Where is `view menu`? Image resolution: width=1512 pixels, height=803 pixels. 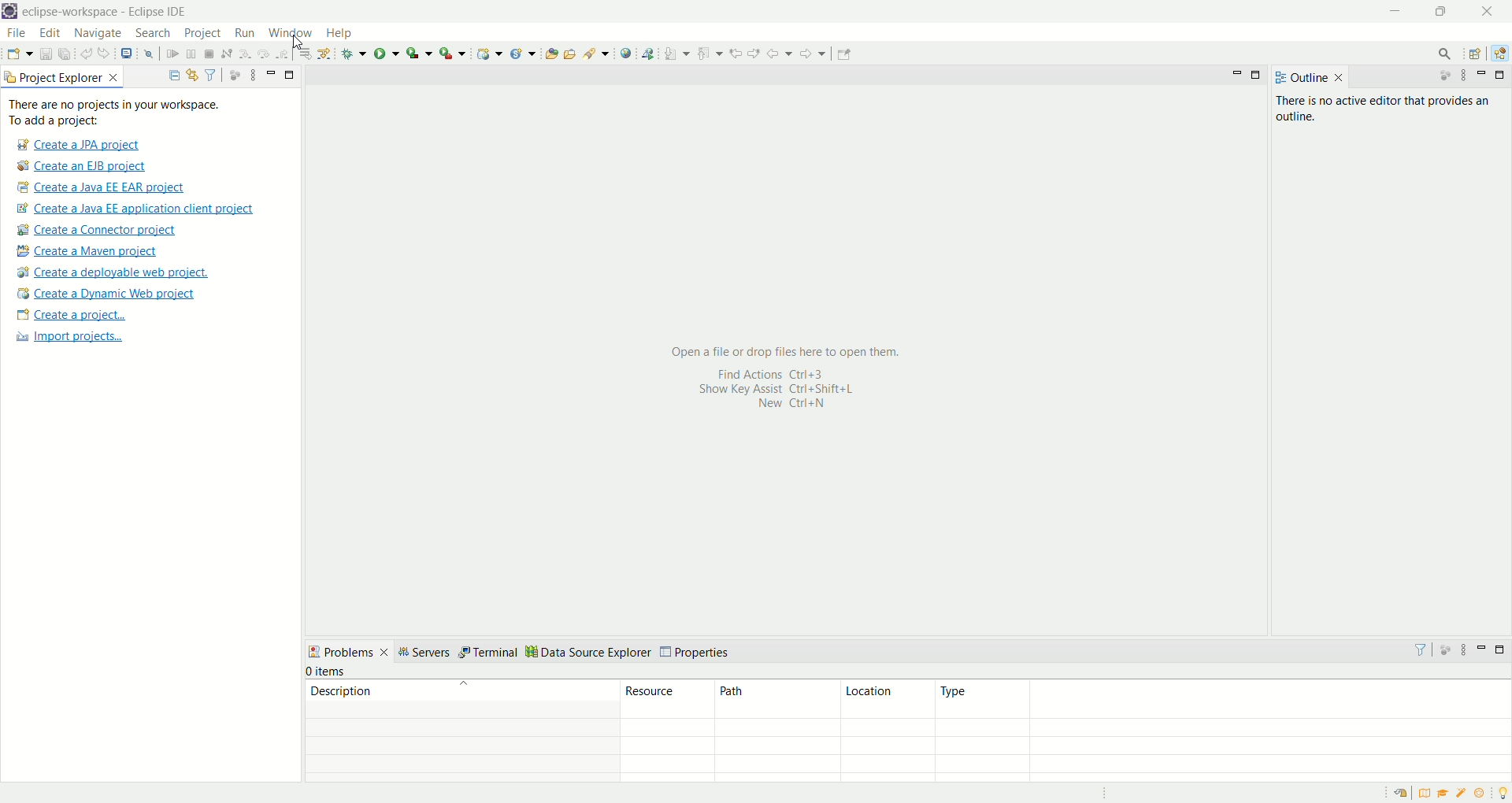
view menu is located at coordinates (1462, 653).